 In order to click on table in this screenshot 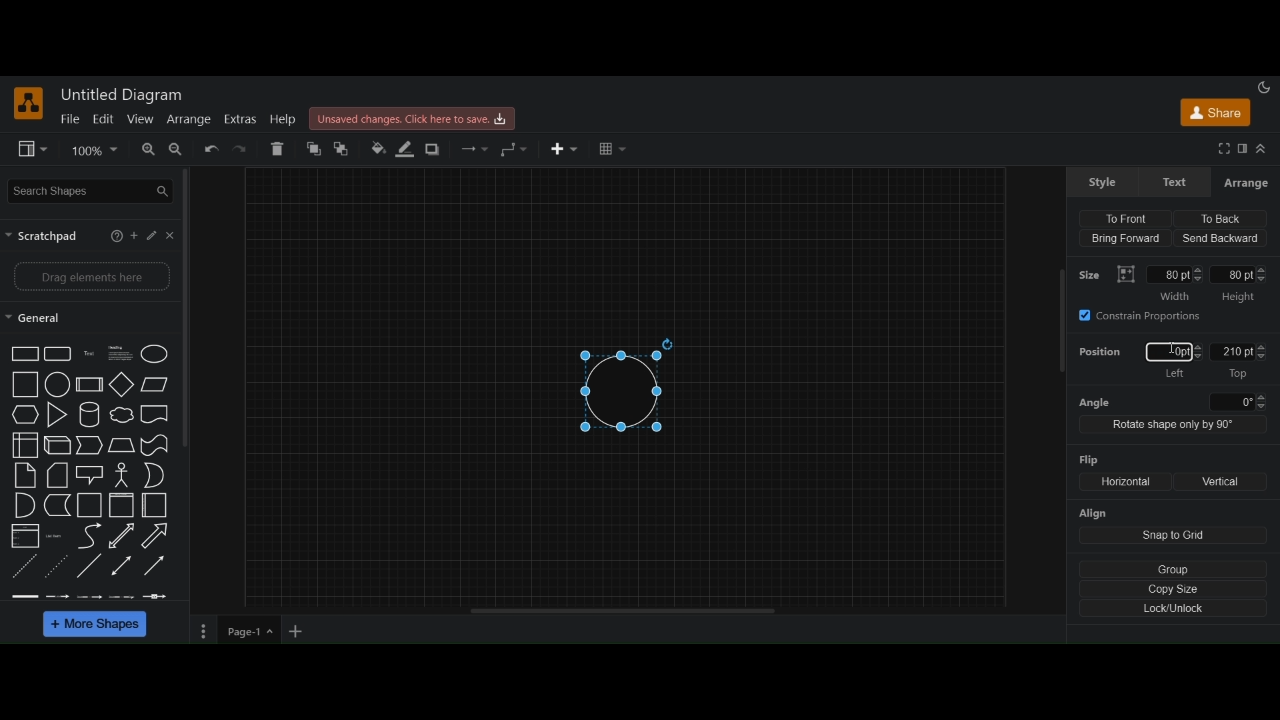, I will do `click(612, 150)`.